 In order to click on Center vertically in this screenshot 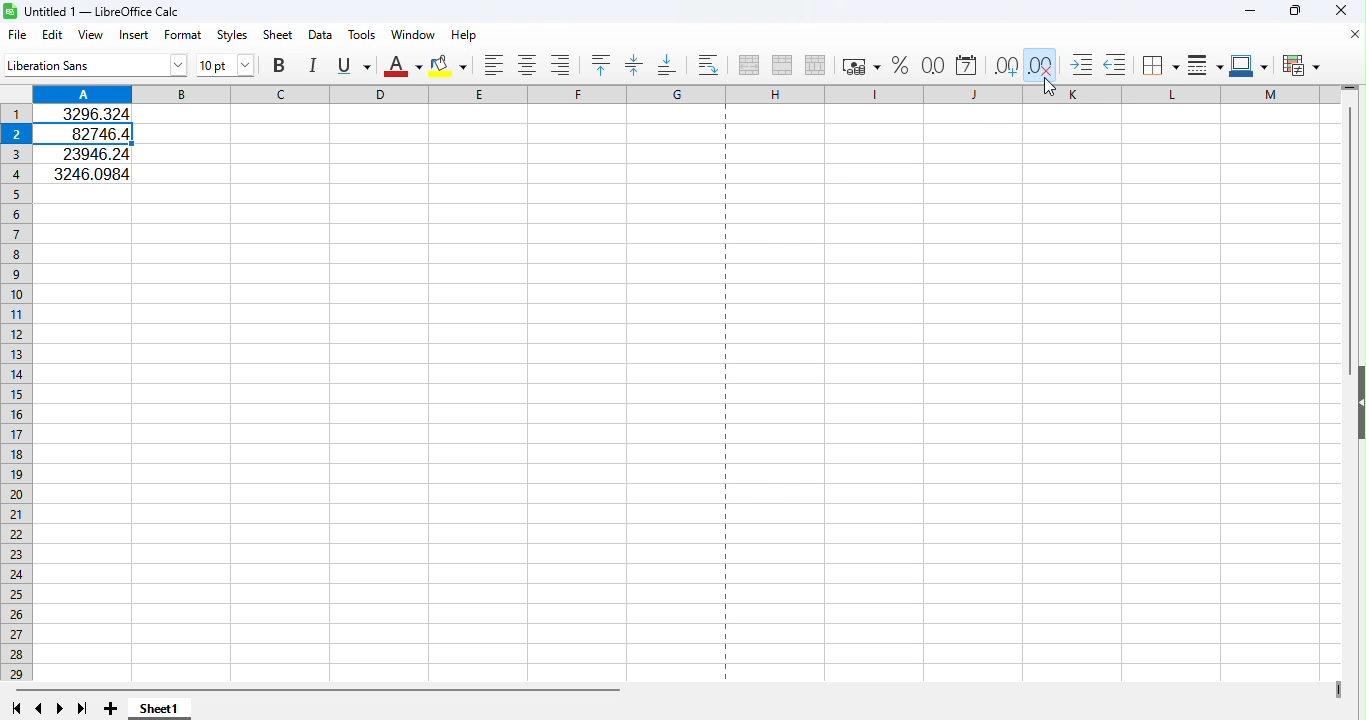, I will do `click(634, 62)`.